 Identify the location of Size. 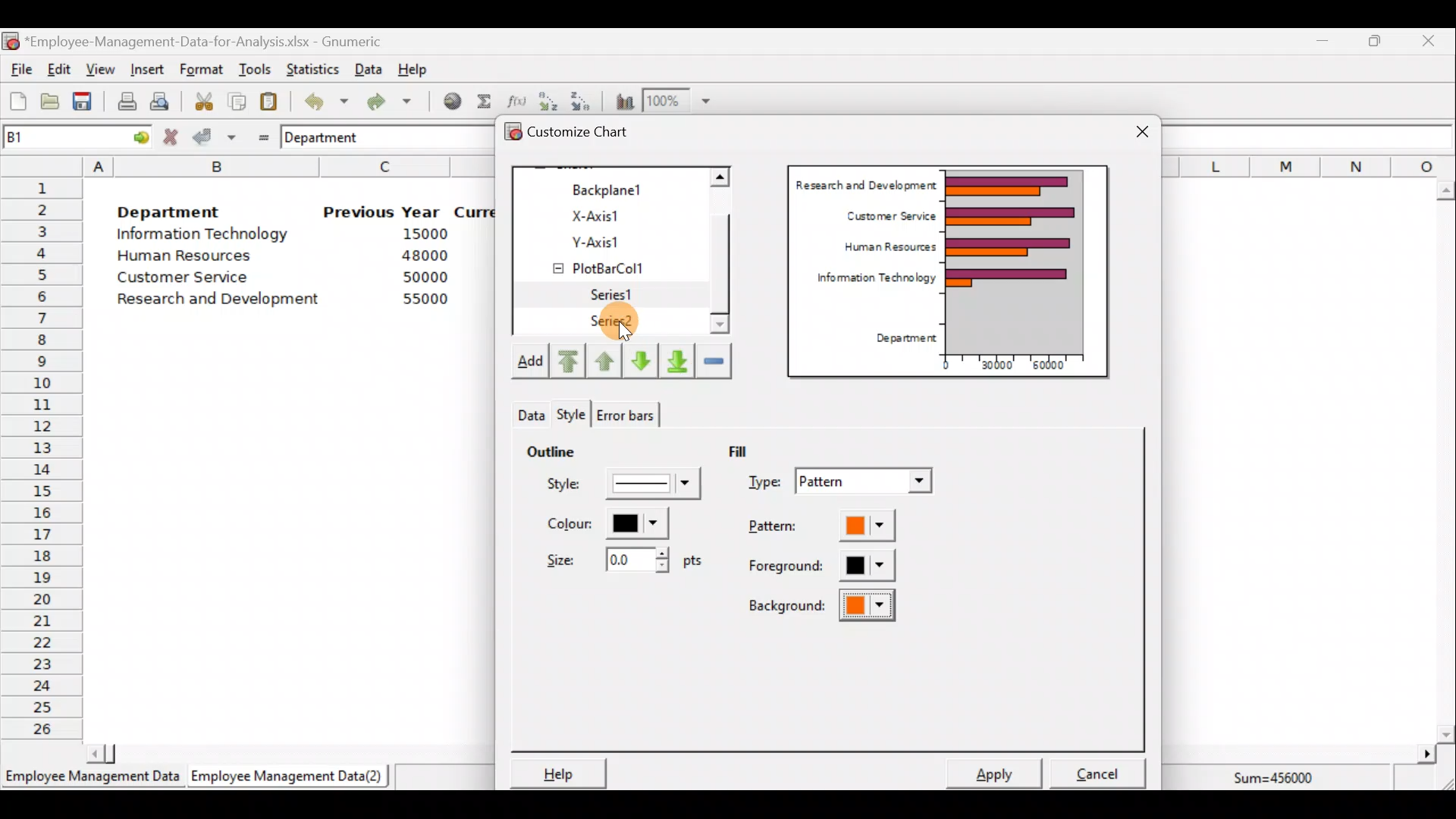
(620, 558).